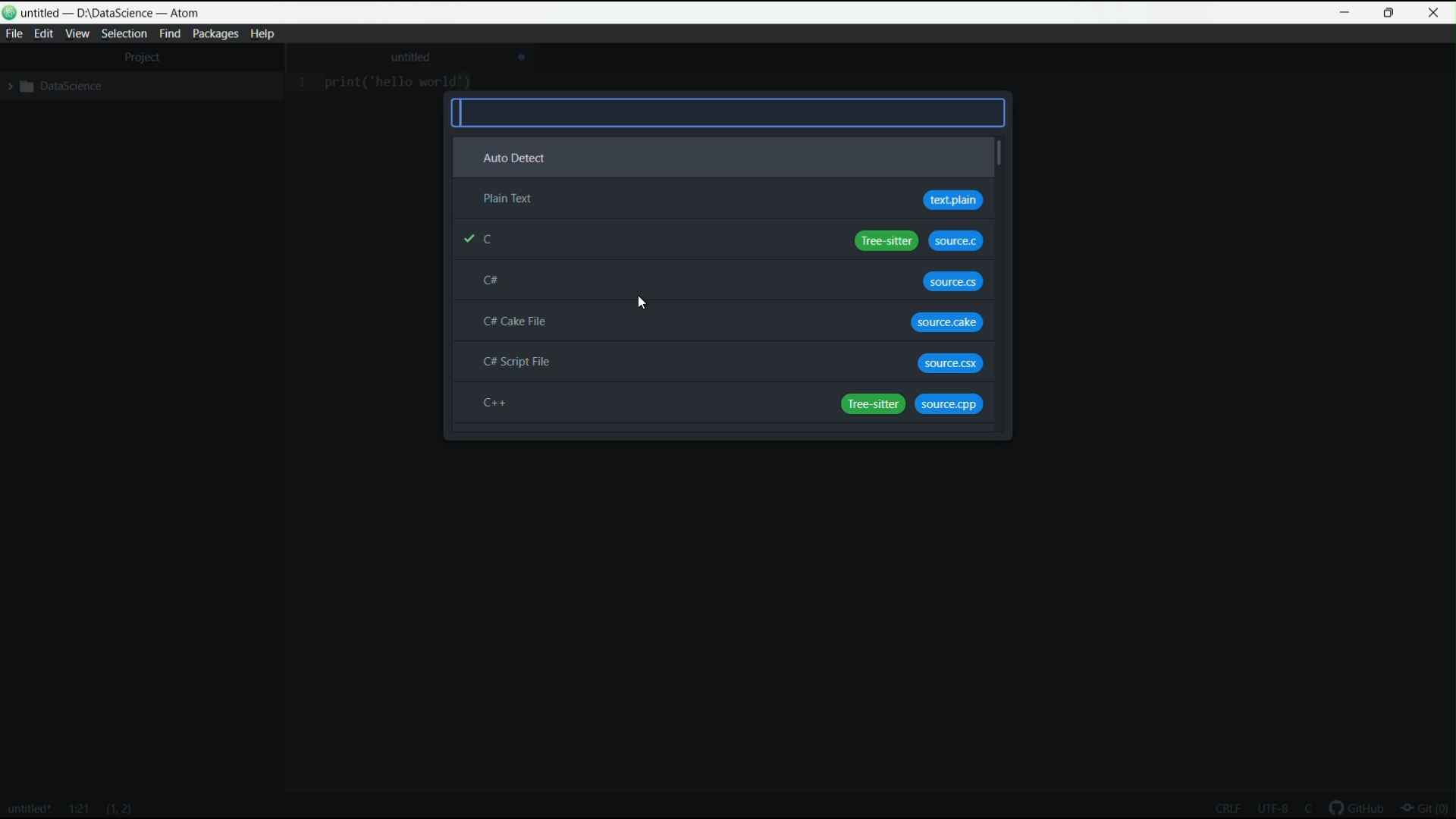 The image size is (1456, 819). I want to click on end line of code sequence, so click(1225, 807).